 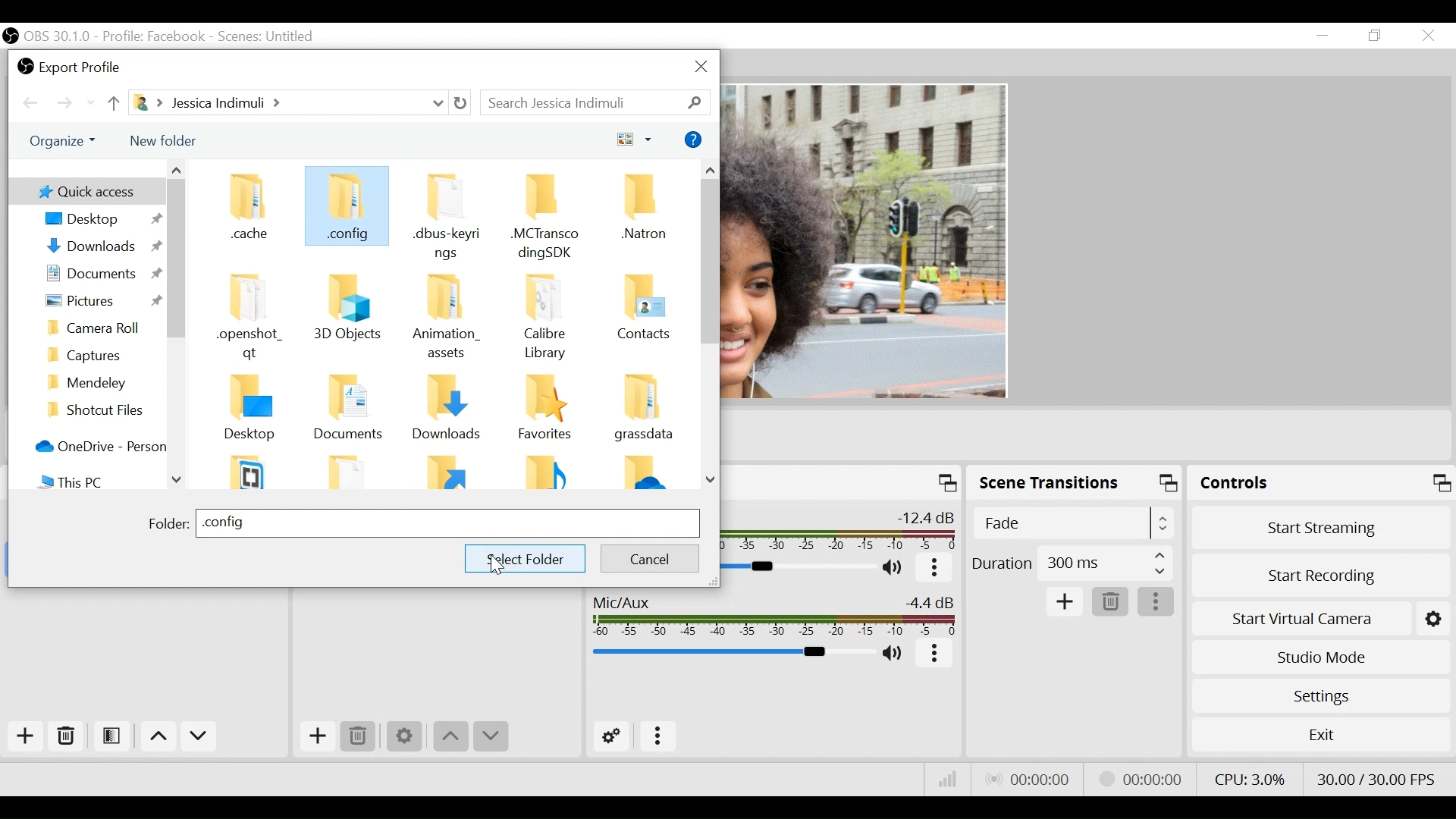 What do you see at coordinates (85, 190) in the screenshot?
I see `Quick Access` at bounding box center [85, 190].